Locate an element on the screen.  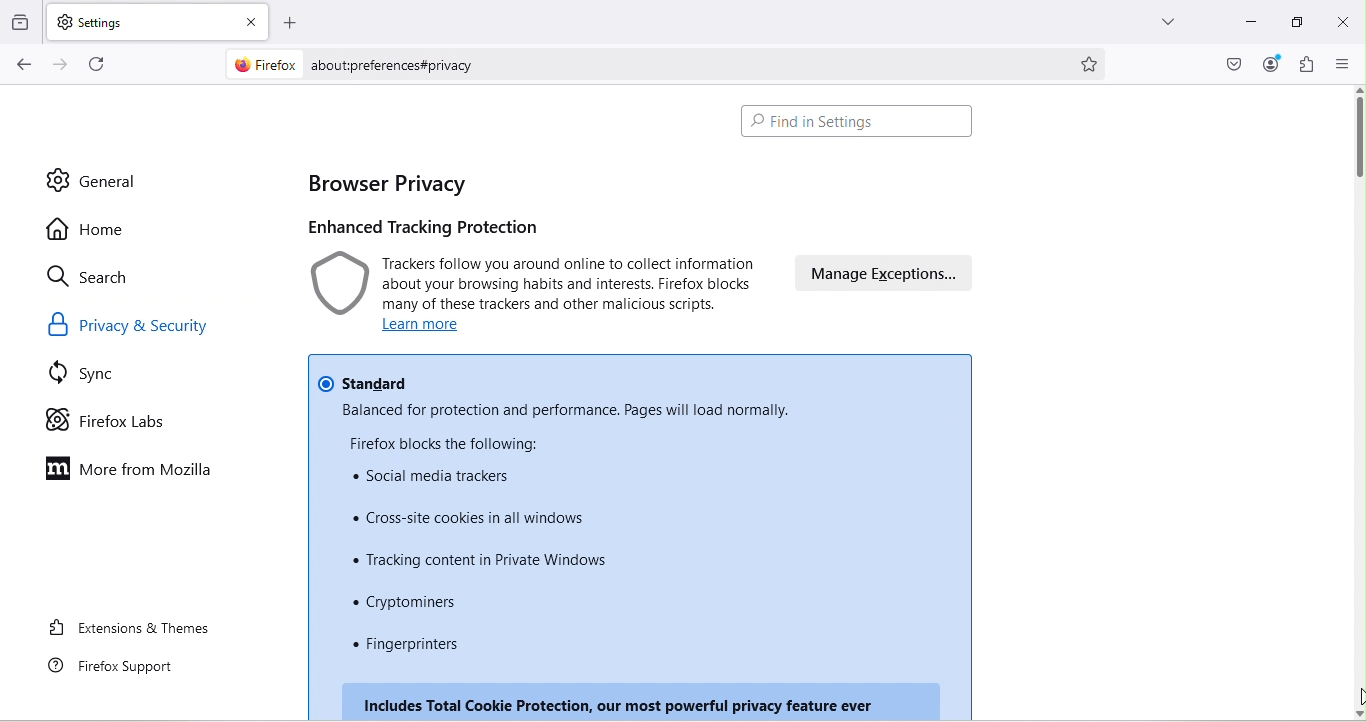
Open a new tab is located at coordinates (287, 19).